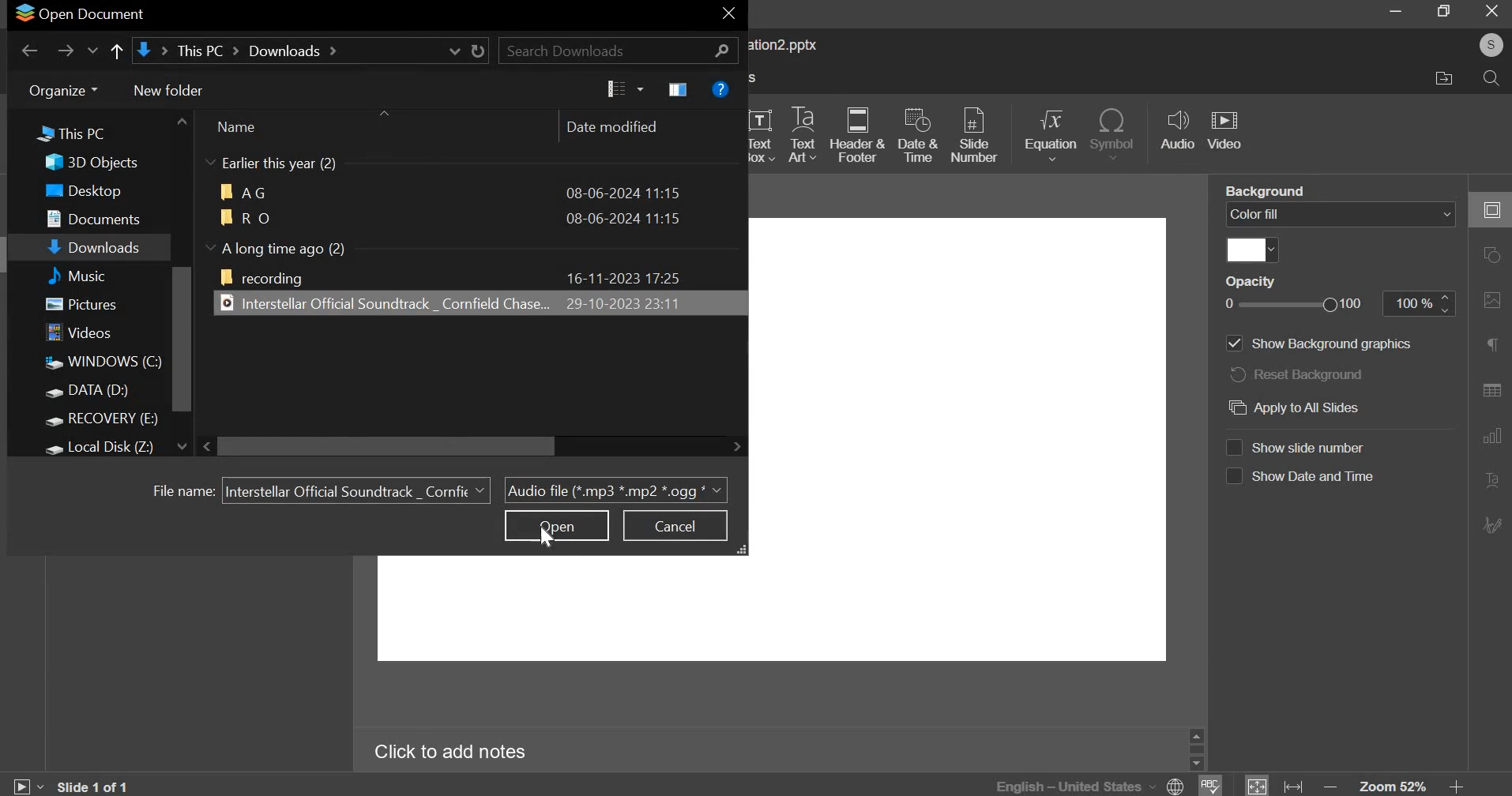 The width and height of the screenshot is (1512, 796). What do you see at coordinates (763, 133) in the screenshot?
I see `text box` at bounding box center [763, 133].